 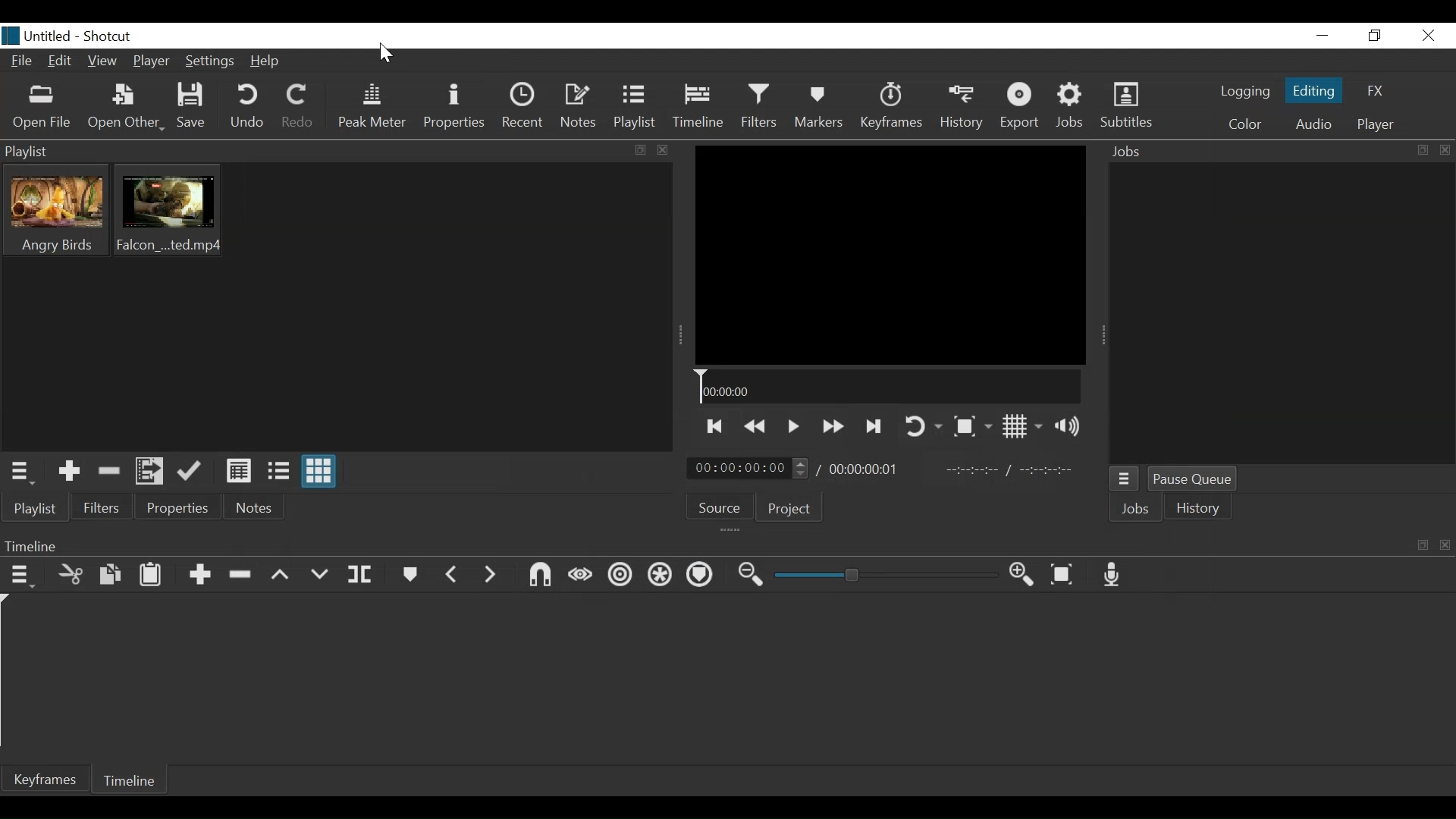 I want to click on View as icons, so click(x=321, y=473).